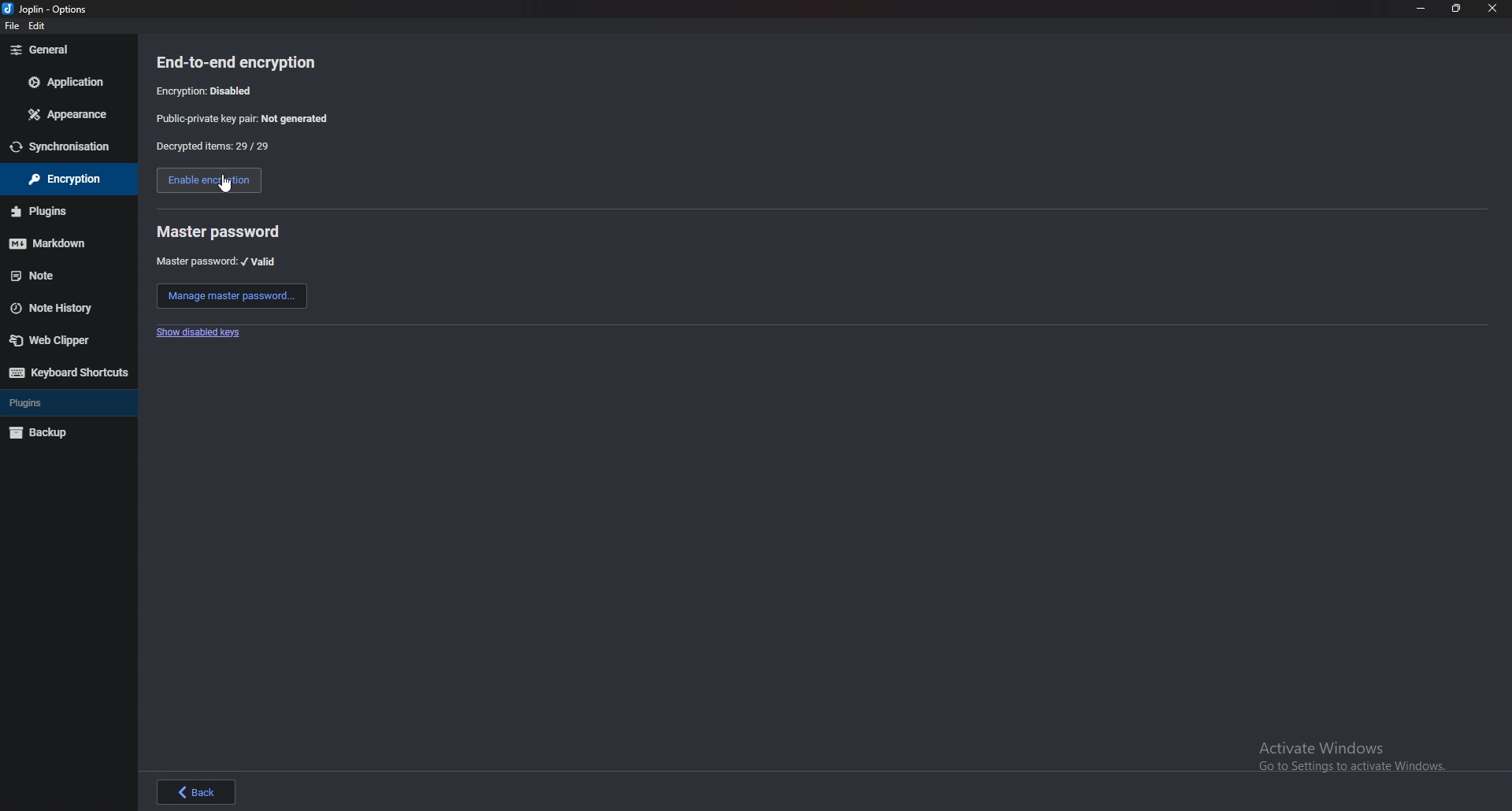 This screenshot has height=811, width=1512. What do you see at coordinates (44, 435) in the screenshot?
I see `` at bounding box center [44, 435].